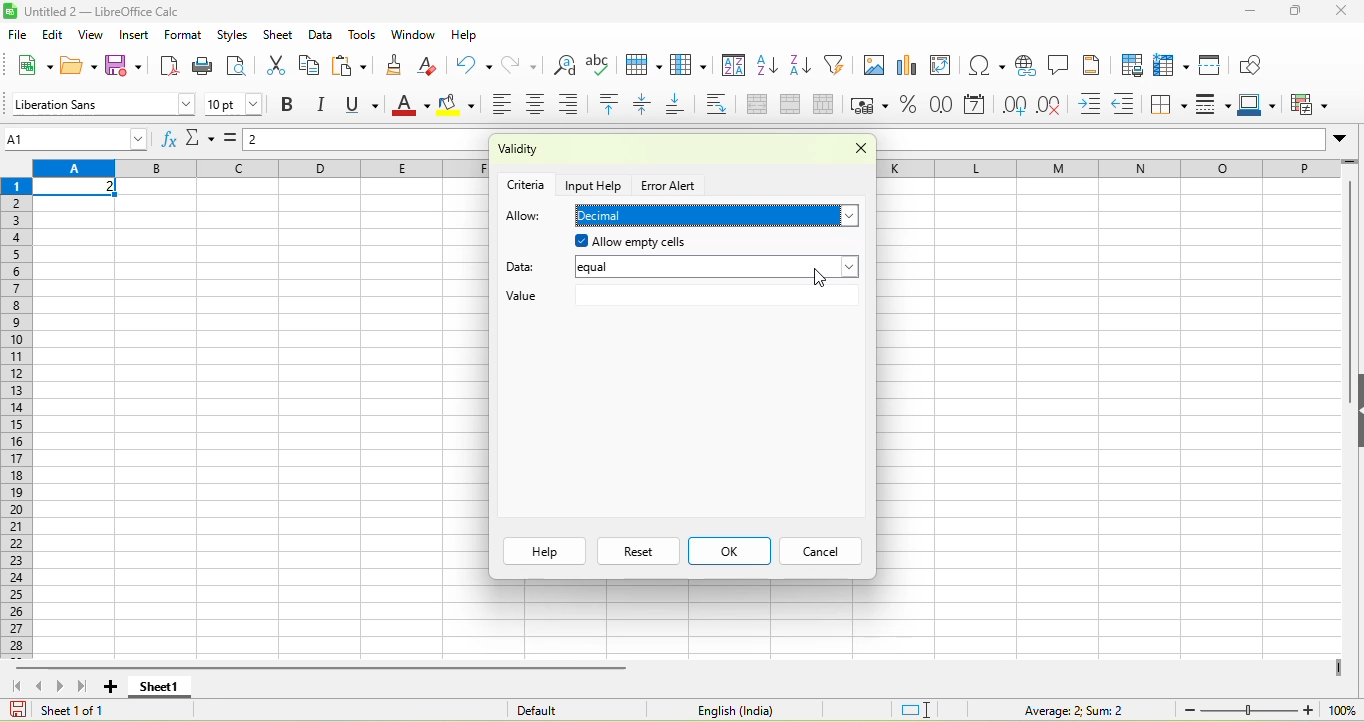  I want to click on criteria, so click(527, 183).